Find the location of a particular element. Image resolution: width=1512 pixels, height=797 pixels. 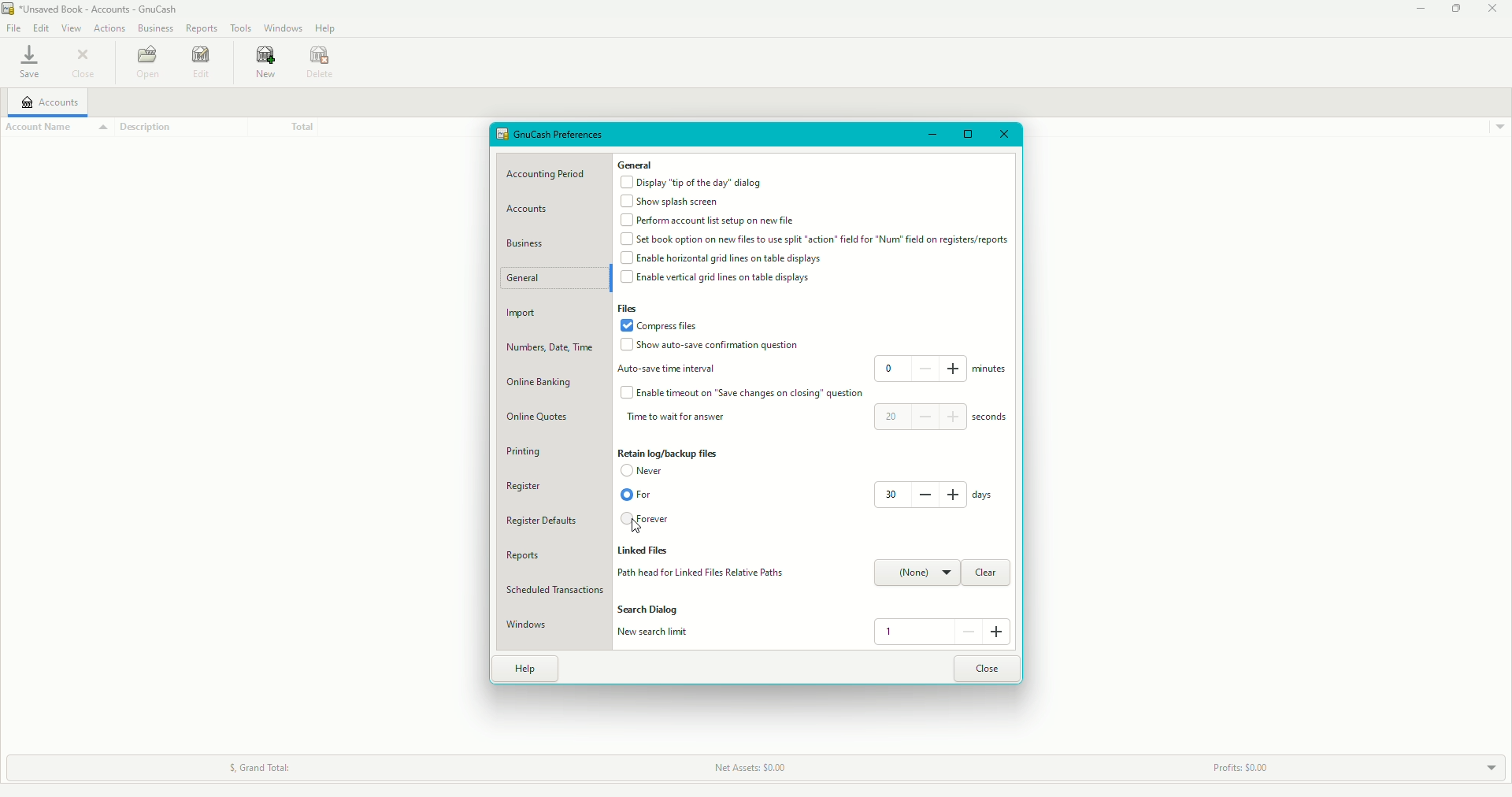

Close is located at coordinates (1004, 134).